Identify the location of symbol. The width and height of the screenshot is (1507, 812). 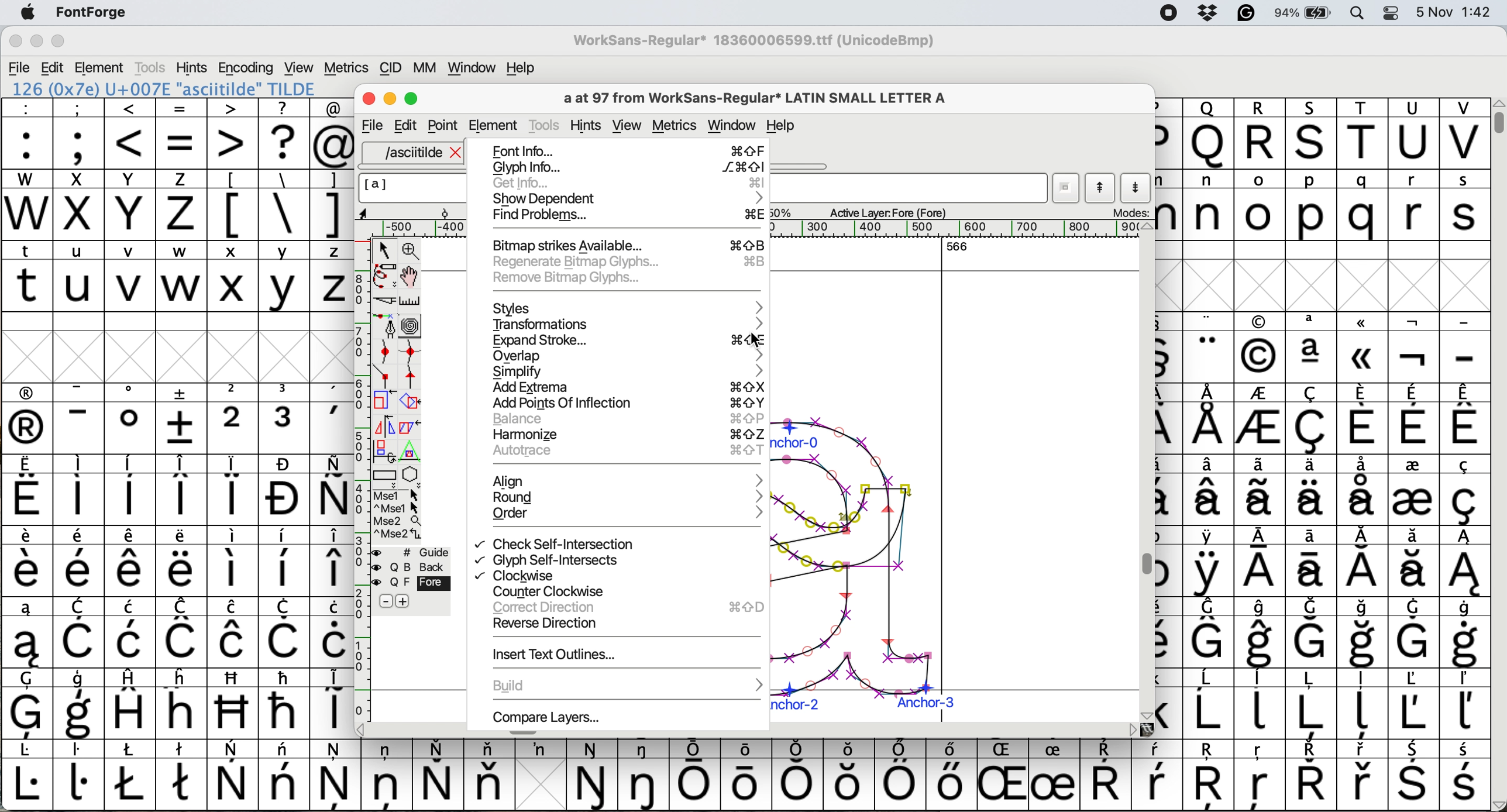
(593, 776).